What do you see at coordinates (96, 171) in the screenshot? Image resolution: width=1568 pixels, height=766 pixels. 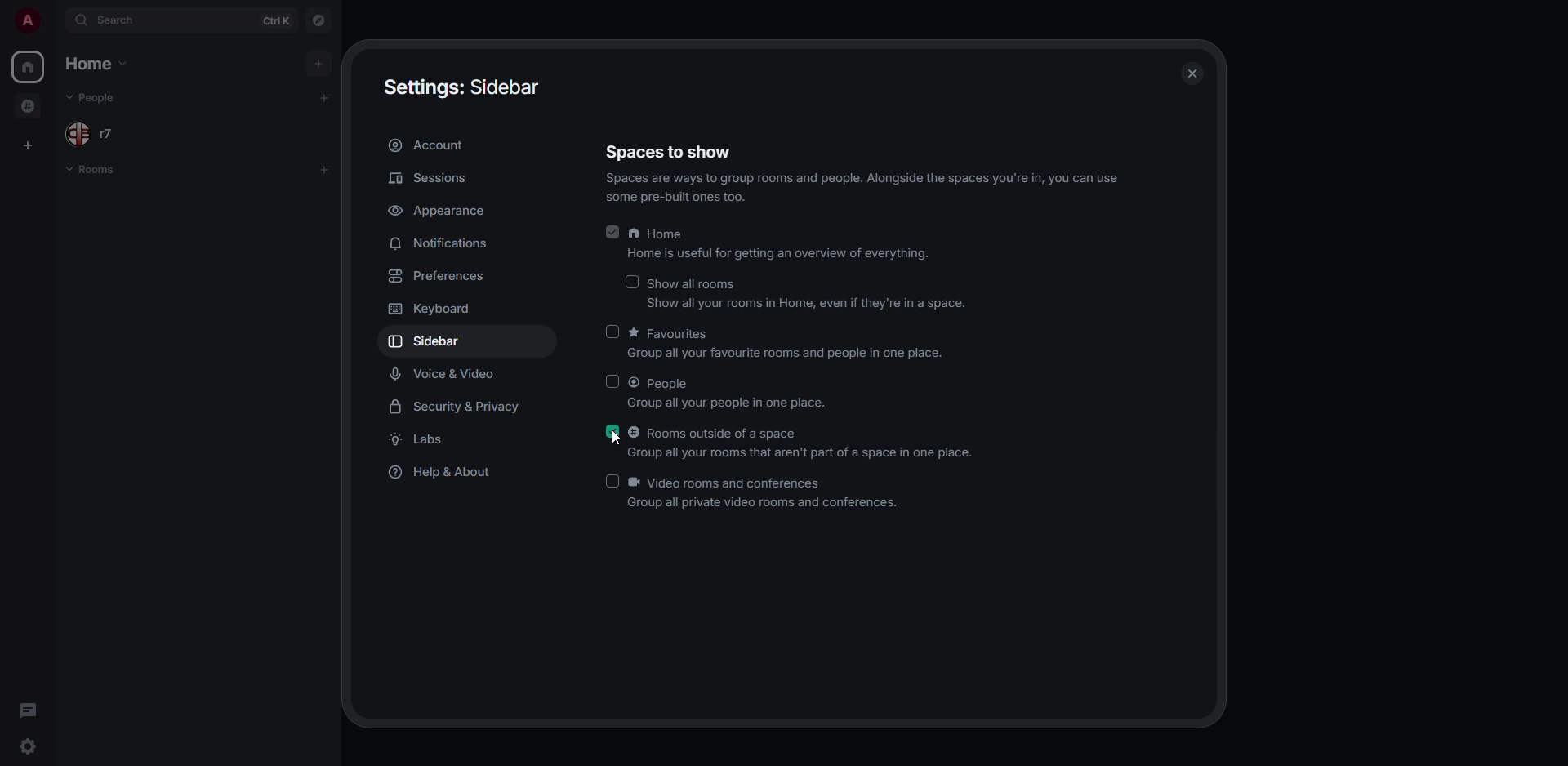 I see `rooms` at bounding box center [96, 171].